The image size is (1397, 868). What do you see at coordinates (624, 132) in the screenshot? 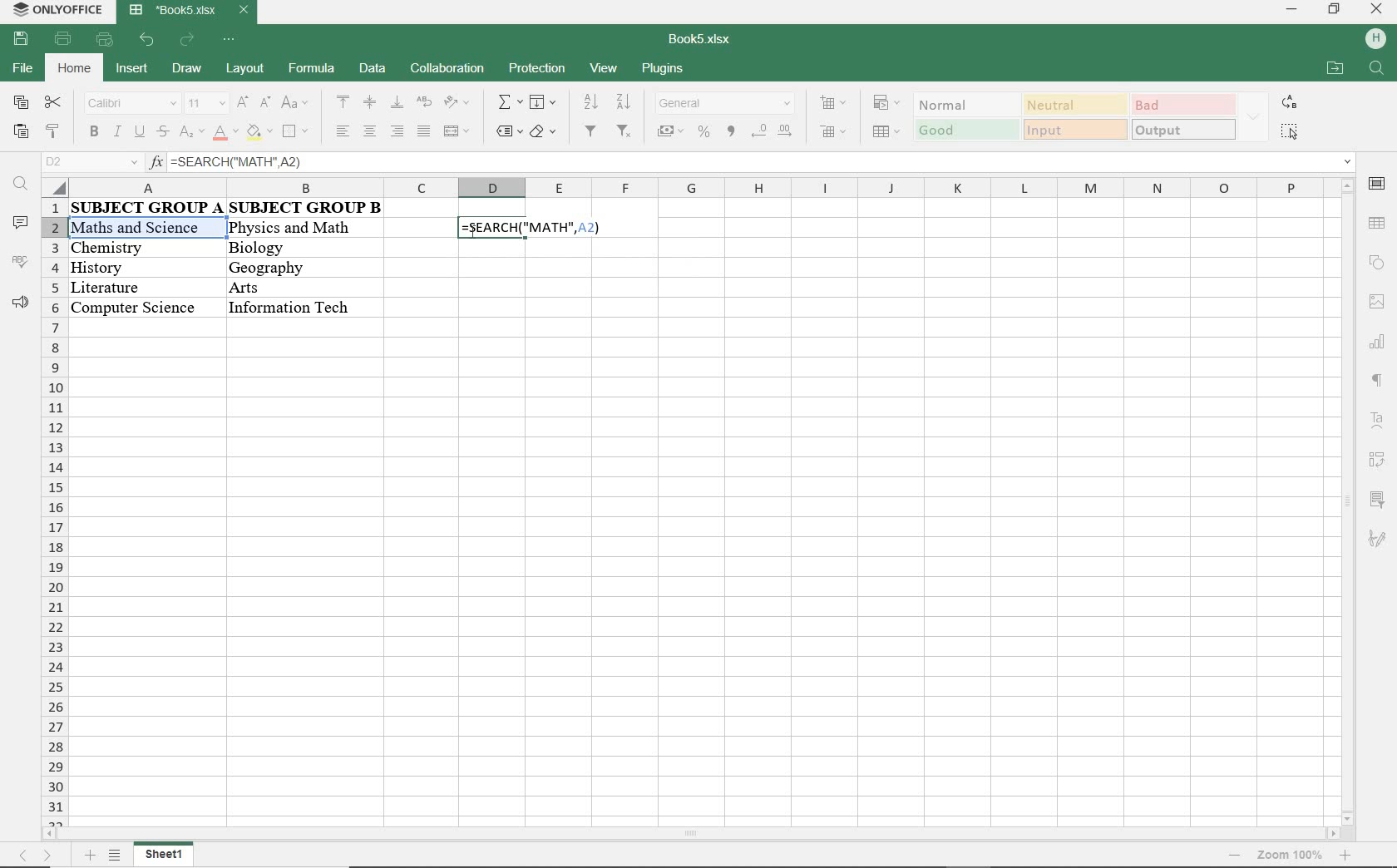
I see `remove filter` at bounding box center [624, 132].